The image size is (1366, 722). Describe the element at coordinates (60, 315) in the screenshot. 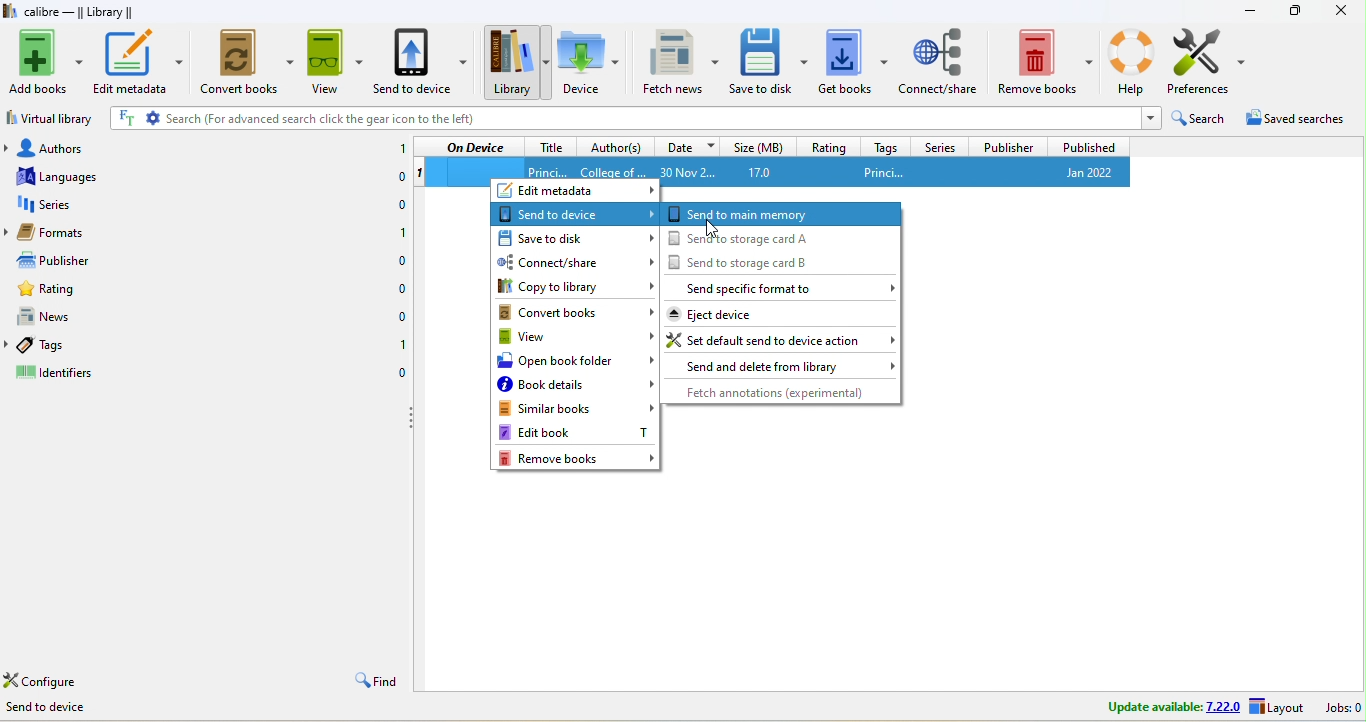

I see `news` at that location.